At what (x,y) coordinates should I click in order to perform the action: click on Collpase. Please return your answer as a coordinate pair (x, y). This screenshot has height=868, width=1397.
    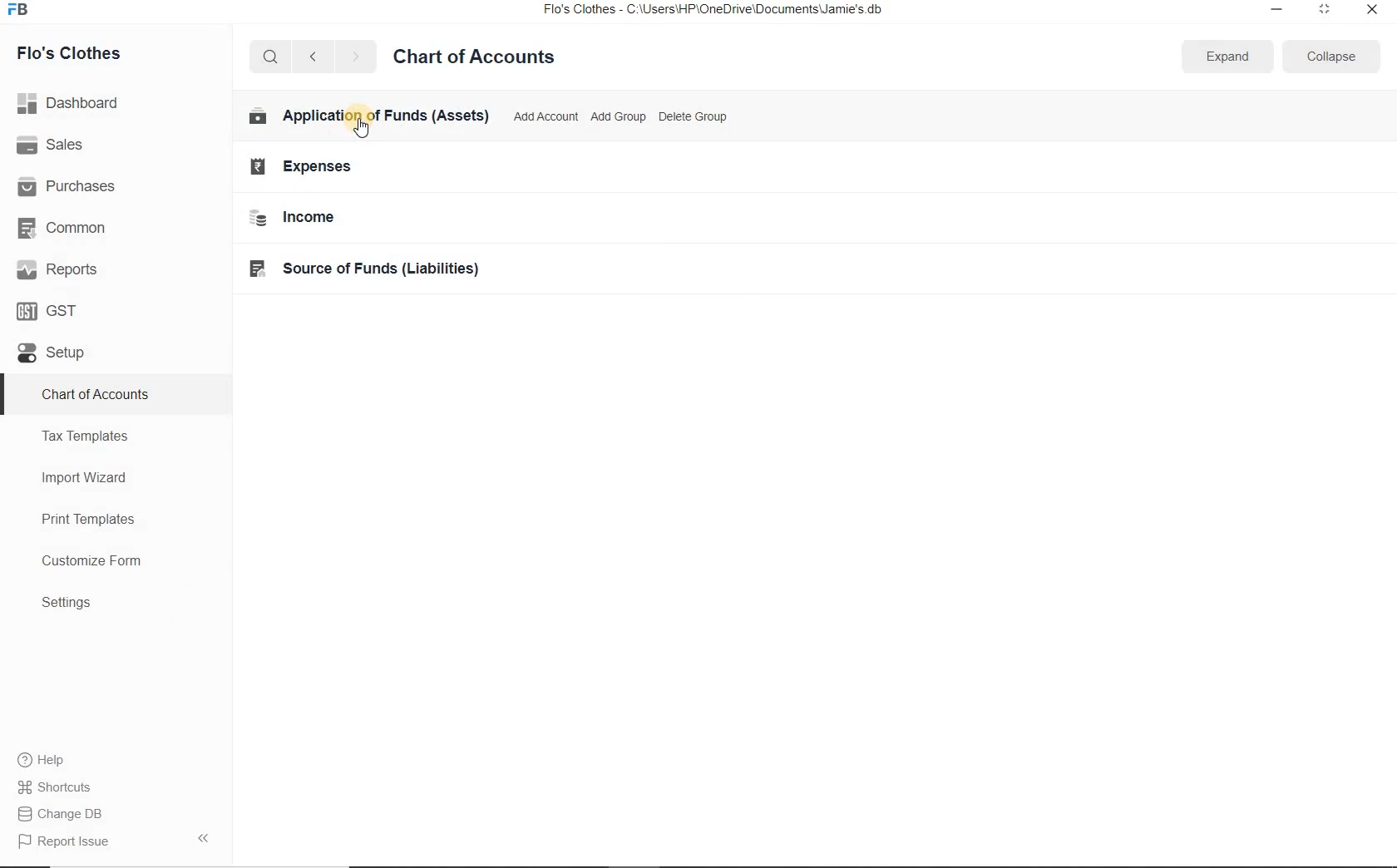
    Looking at the image, I should click on (203, 837).